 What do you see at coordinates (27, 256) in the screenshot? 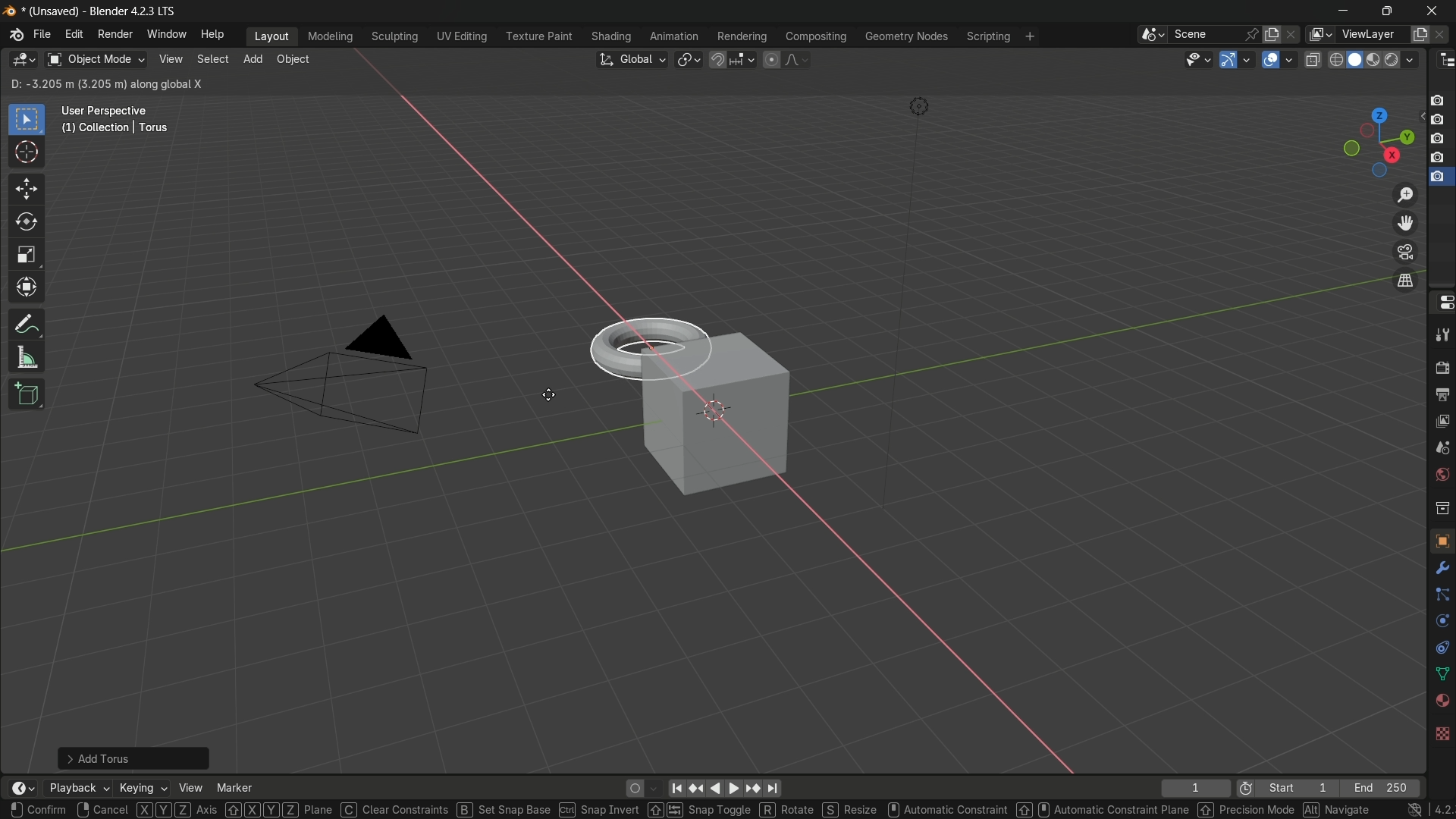
I see `scale` at bounding box center [27, 256].